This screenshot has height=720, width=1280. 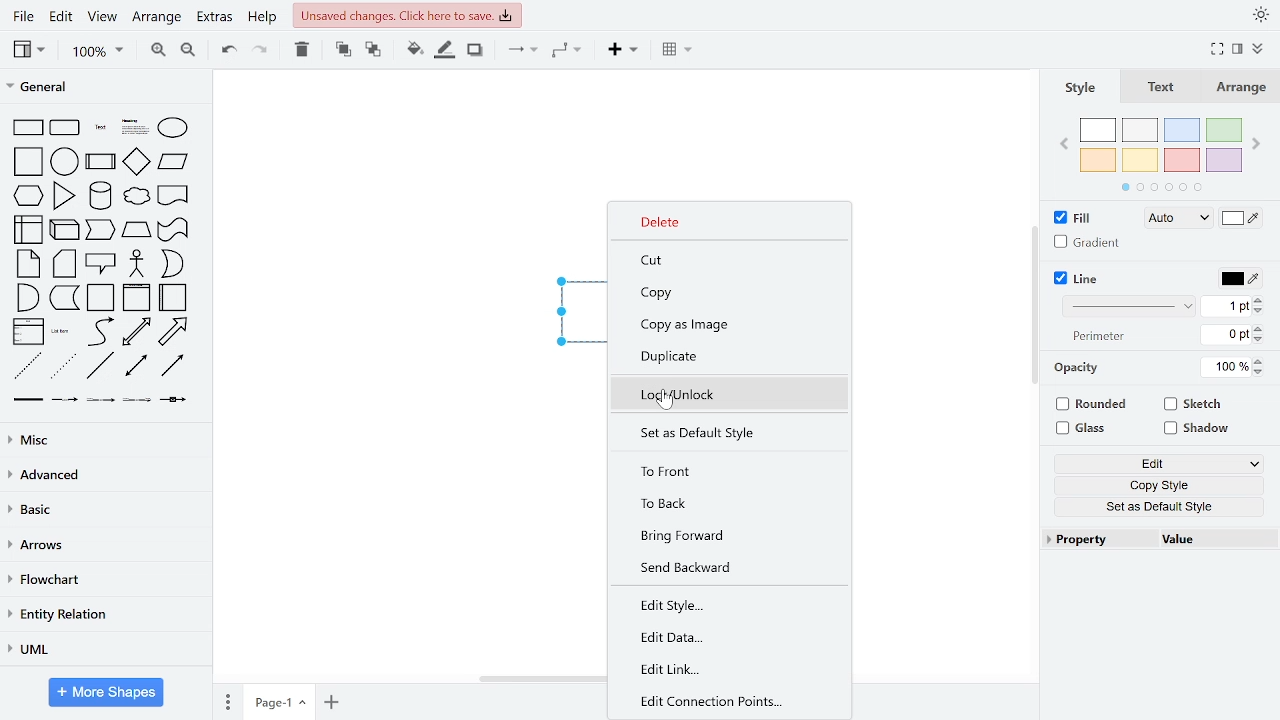 What do you see at coordinates (137, 230) in the screenshot?
I see `step` at bounding box center [137, 230].